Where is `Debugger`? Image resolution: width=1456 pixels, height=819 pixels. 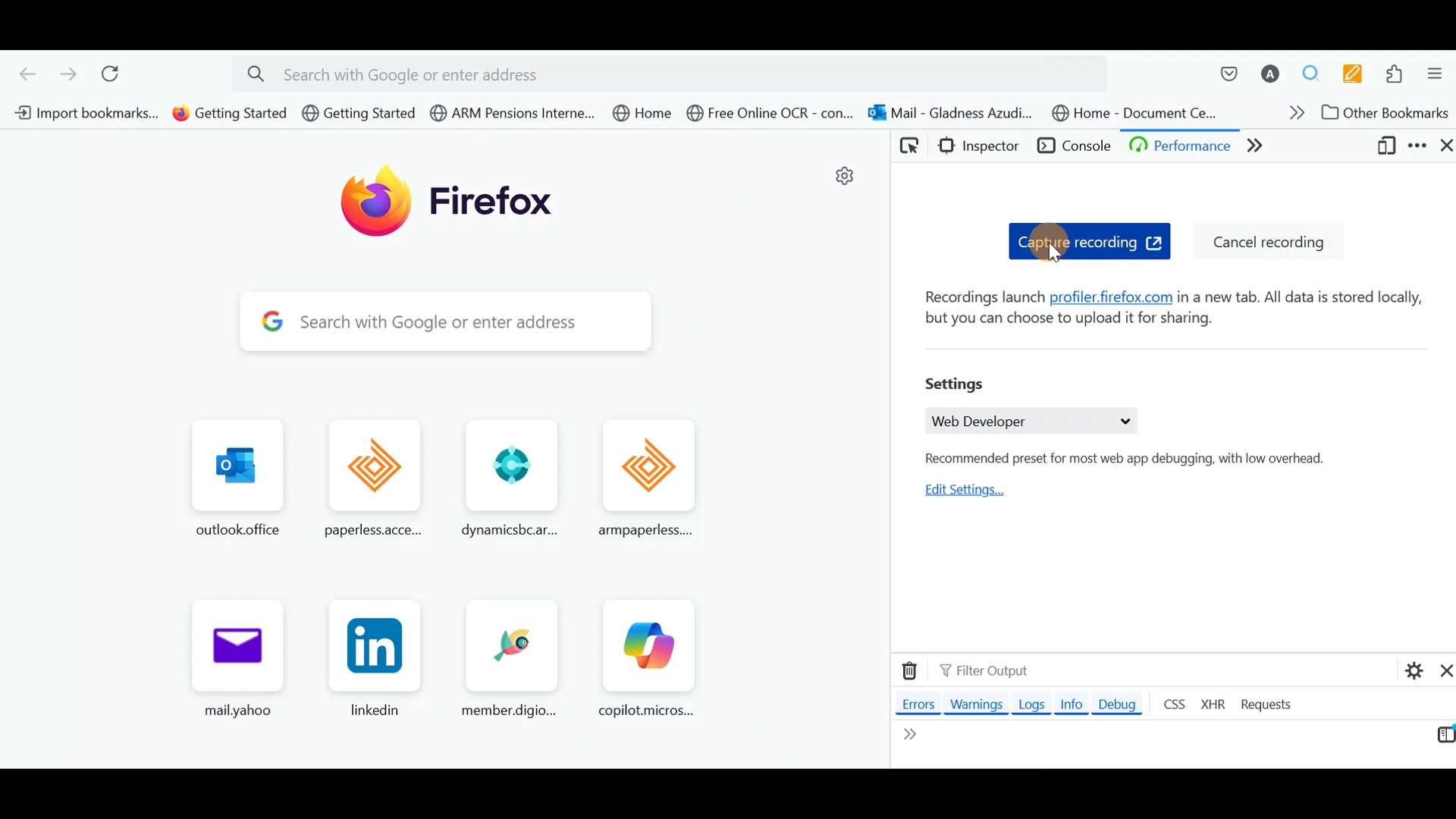
Debugger is located at coordinates (1175, 145).